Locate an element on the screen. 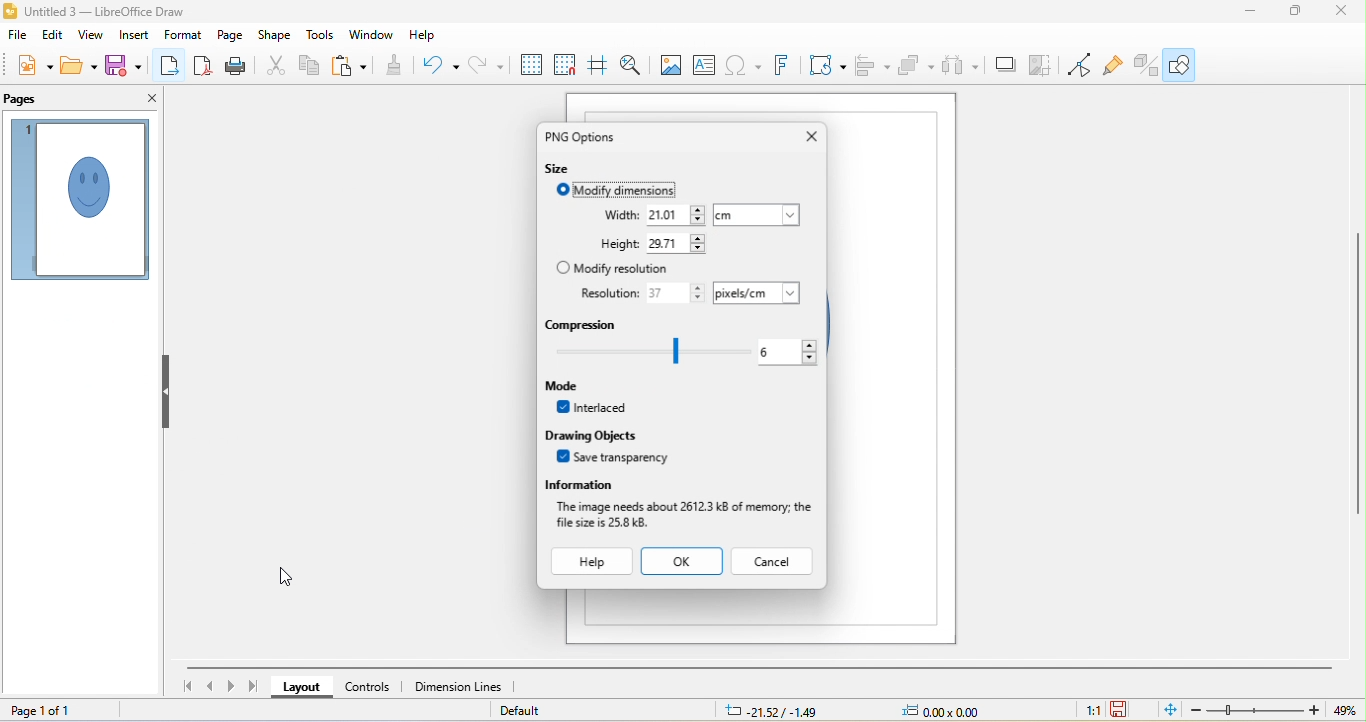 The width and height of the screenshot is (1366, 722). image information is located at coordinates (687, 515).